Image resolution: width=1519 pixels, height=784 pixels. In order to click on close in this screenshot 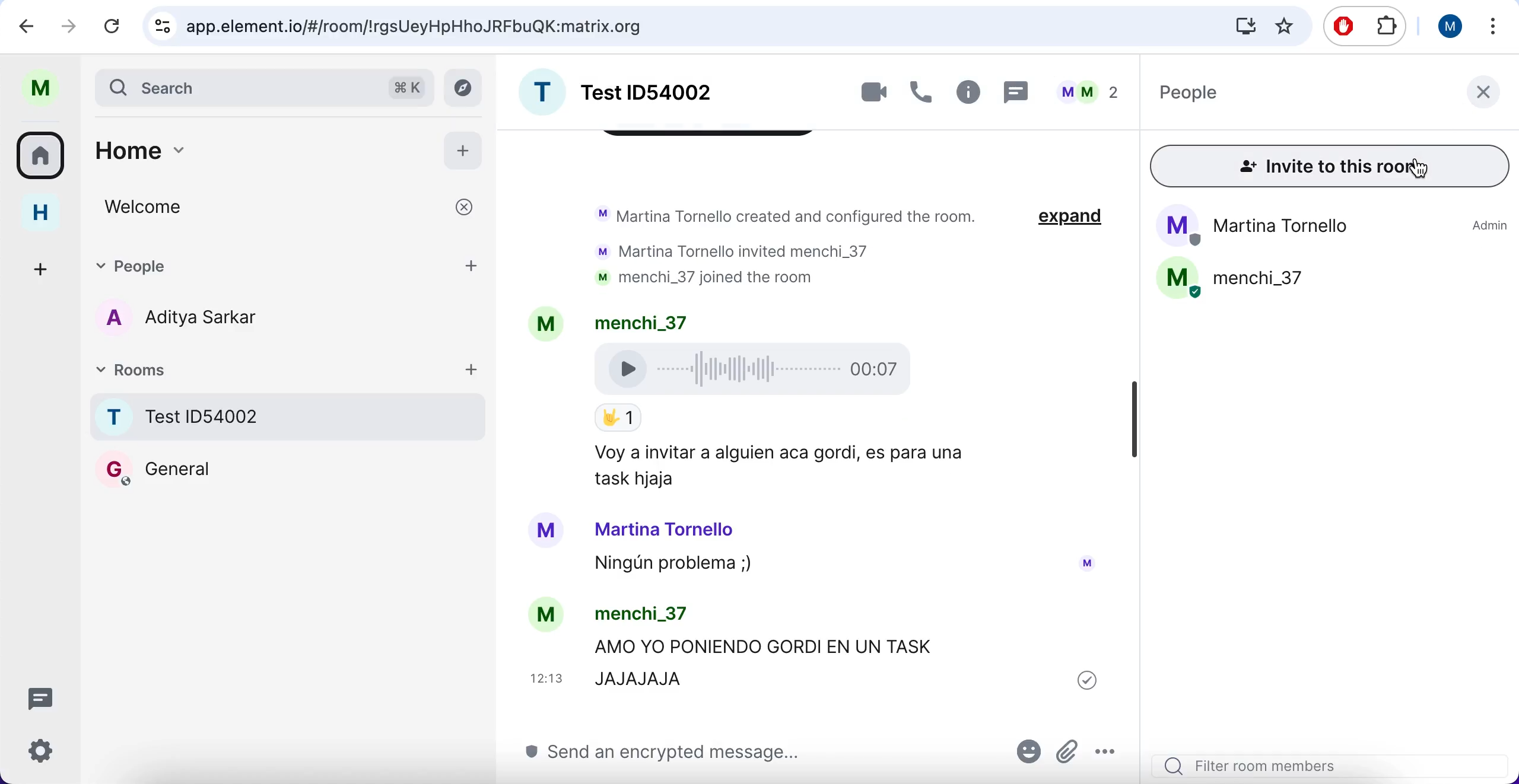, I will do `click(1485, 98)`.